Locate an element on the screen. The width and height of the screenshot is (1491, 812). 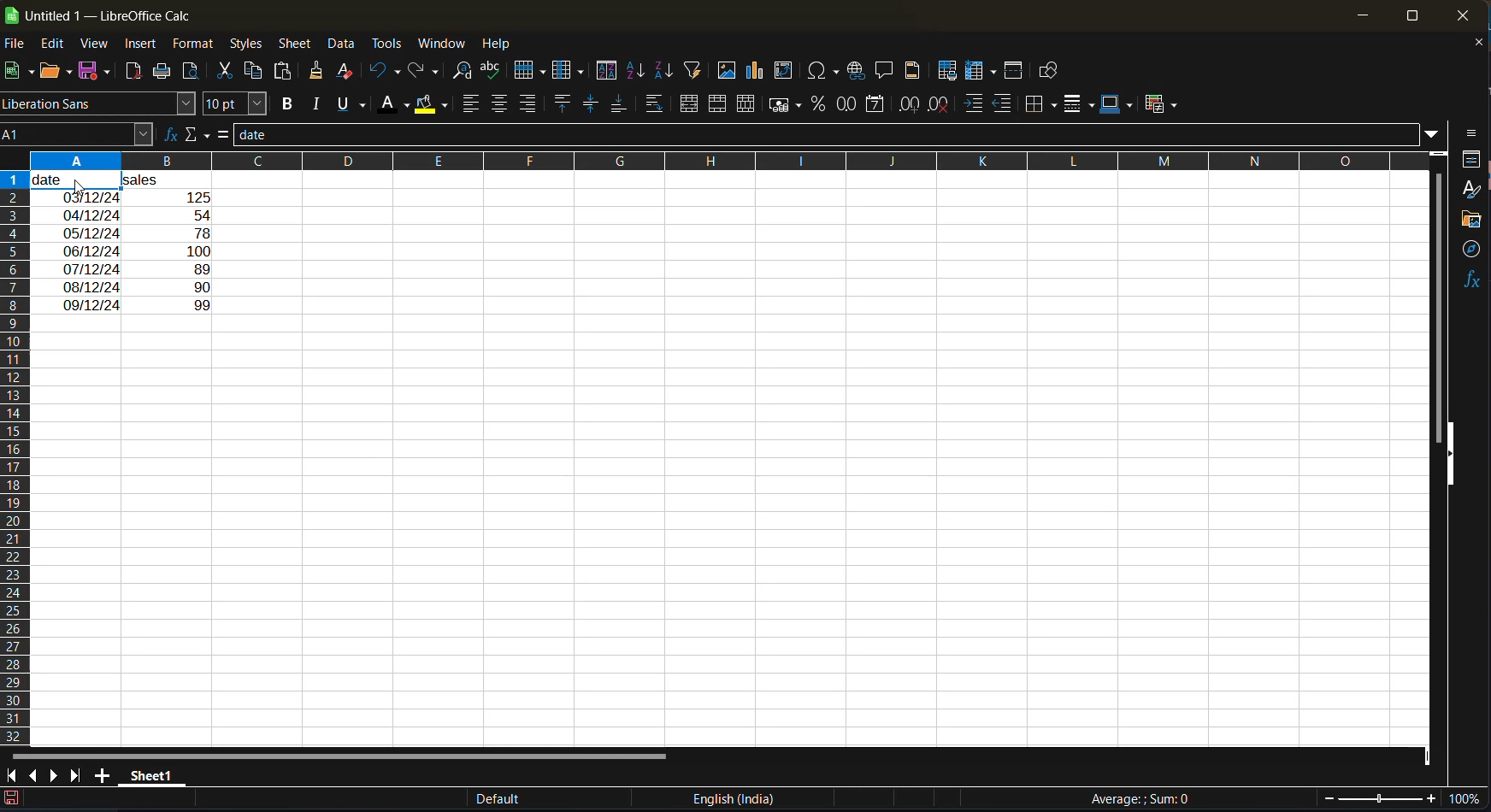
select function is located at coordinates (196, 134).